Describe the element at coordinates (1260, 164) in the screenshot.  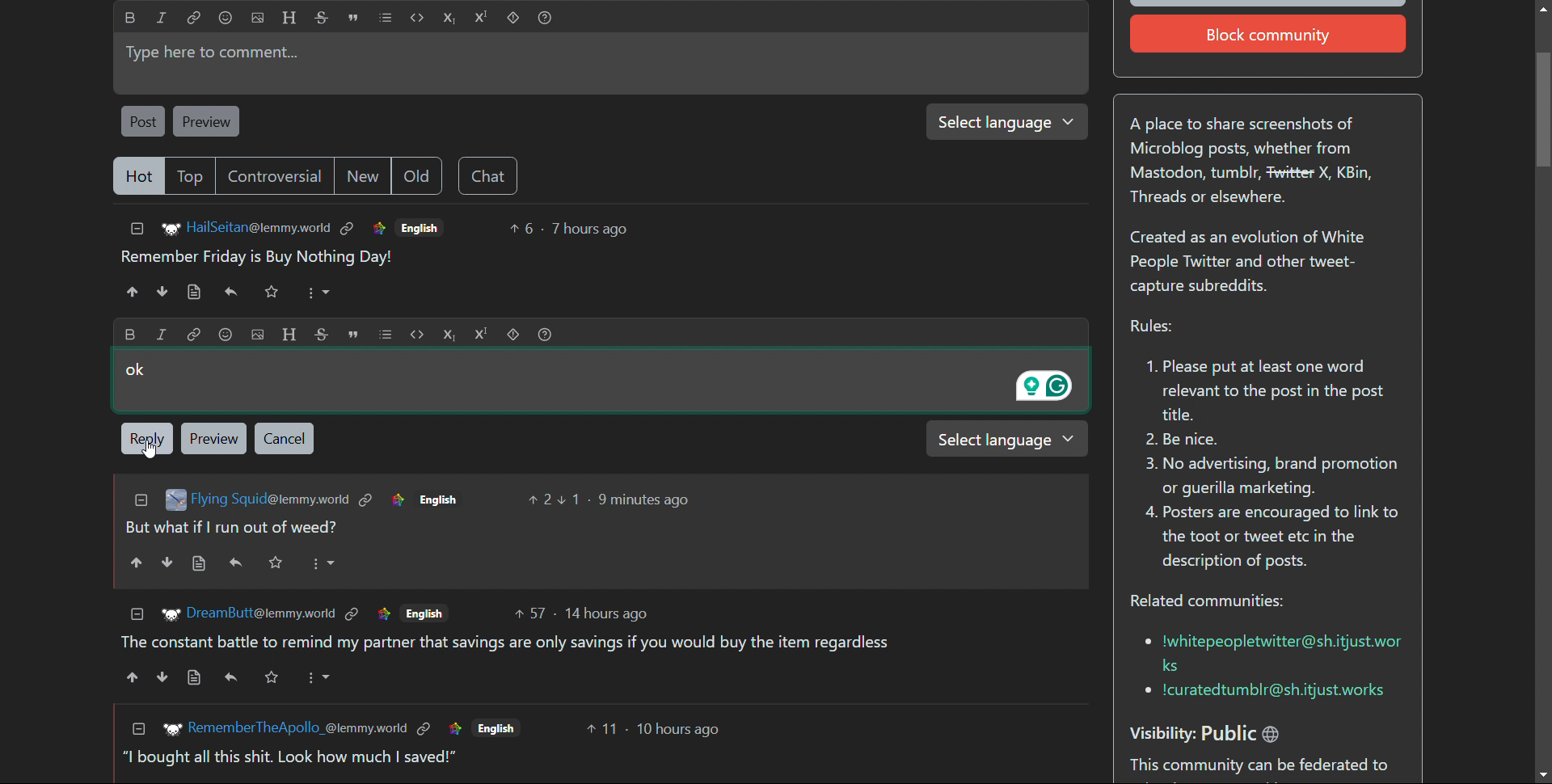
I see `A place to share screenshots of
Microblog posts, whether from
Mastodon, tumblr, Fwitter X, KBin,
Threads or elsewhere.` at that location.